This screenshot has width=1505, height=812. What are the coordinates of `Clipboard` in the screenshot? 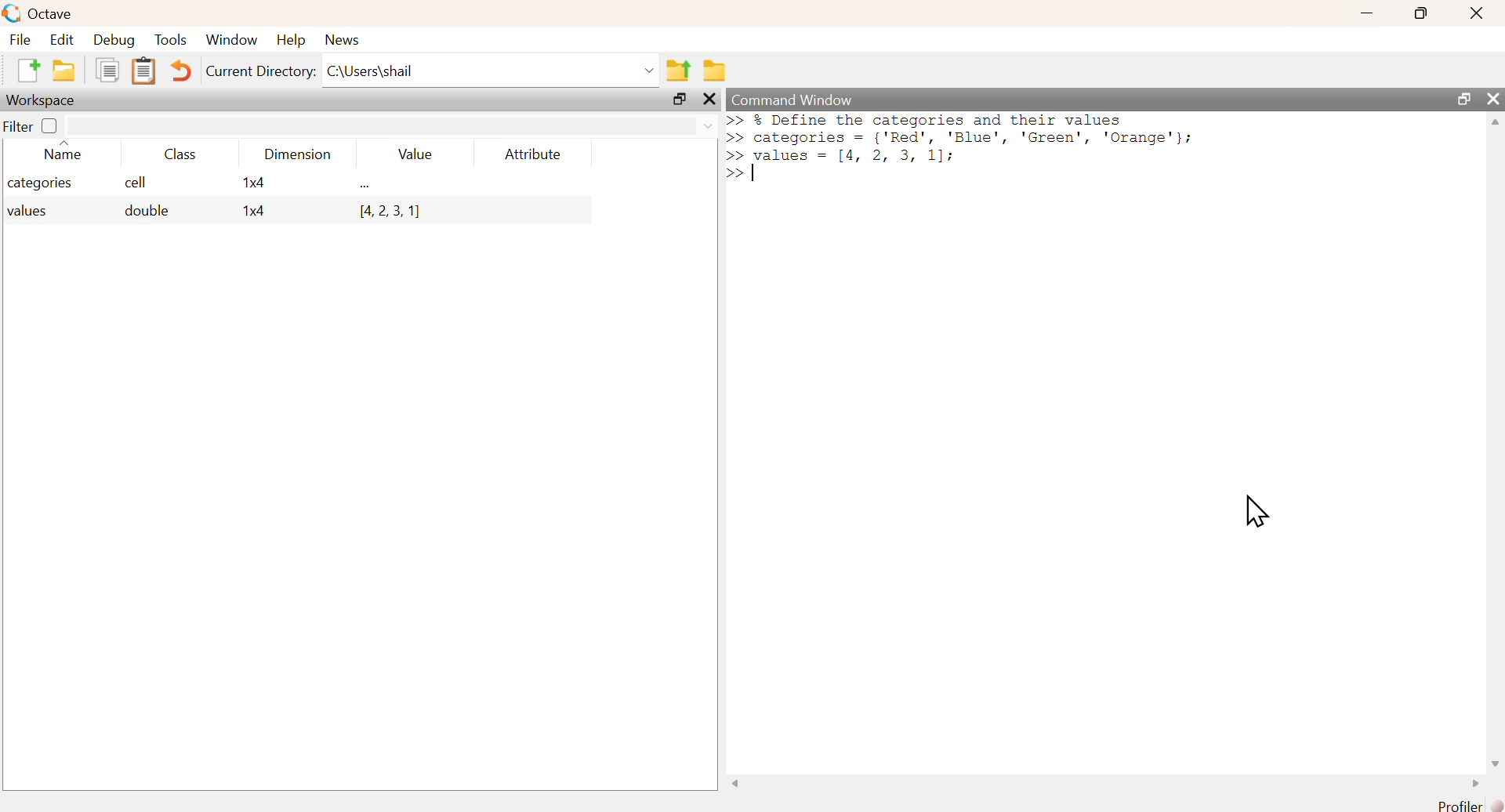 It's located at (143, 71).